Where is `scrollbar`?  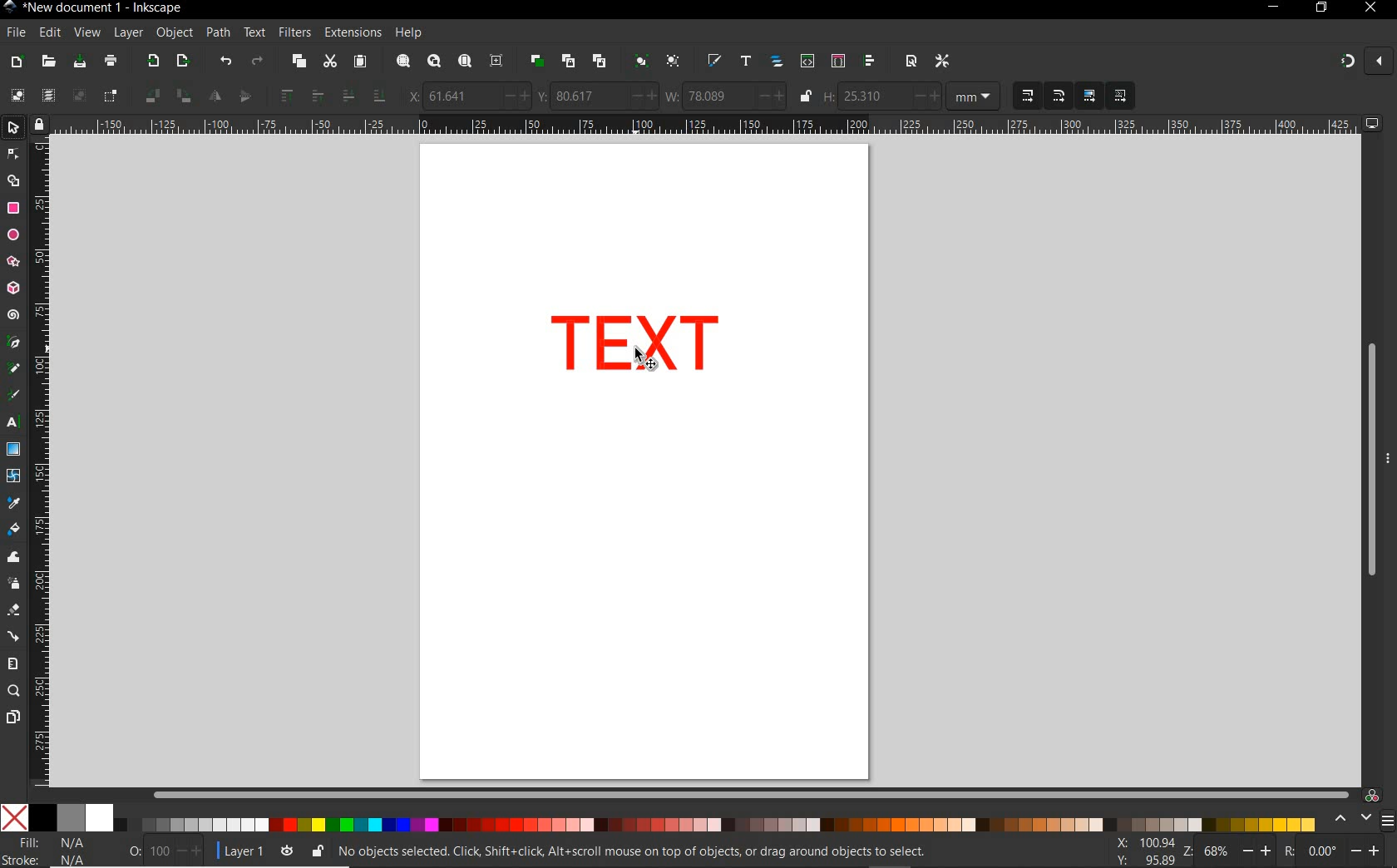
scrollbar is located at coordinates (751, 794).